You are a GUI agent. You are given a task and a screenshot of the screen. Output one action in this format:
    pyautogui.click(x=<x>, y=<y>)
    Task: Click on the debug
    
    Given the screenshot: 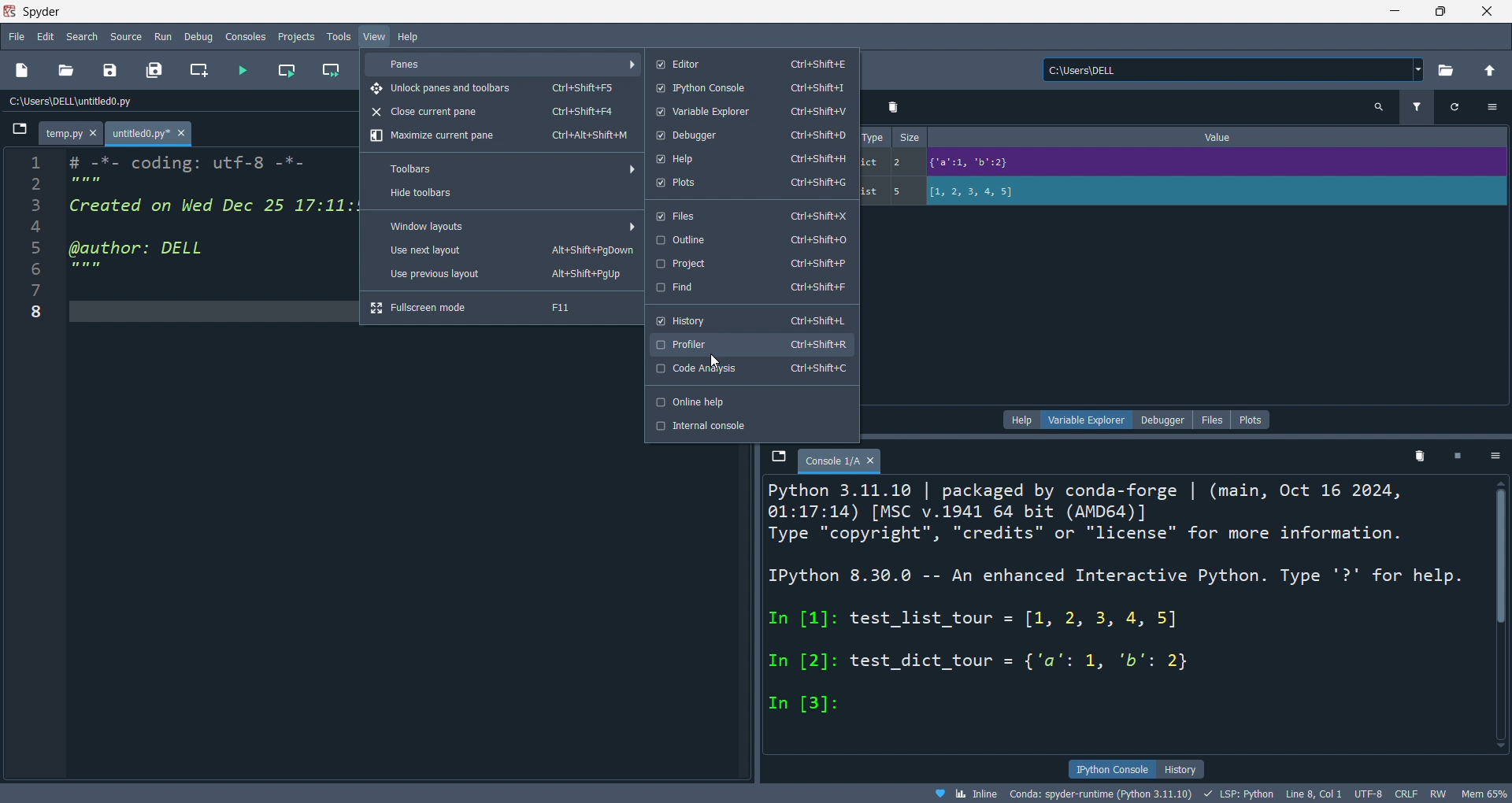 What is the action you would take?
    pyautogui.click(x=193, y=37)
    